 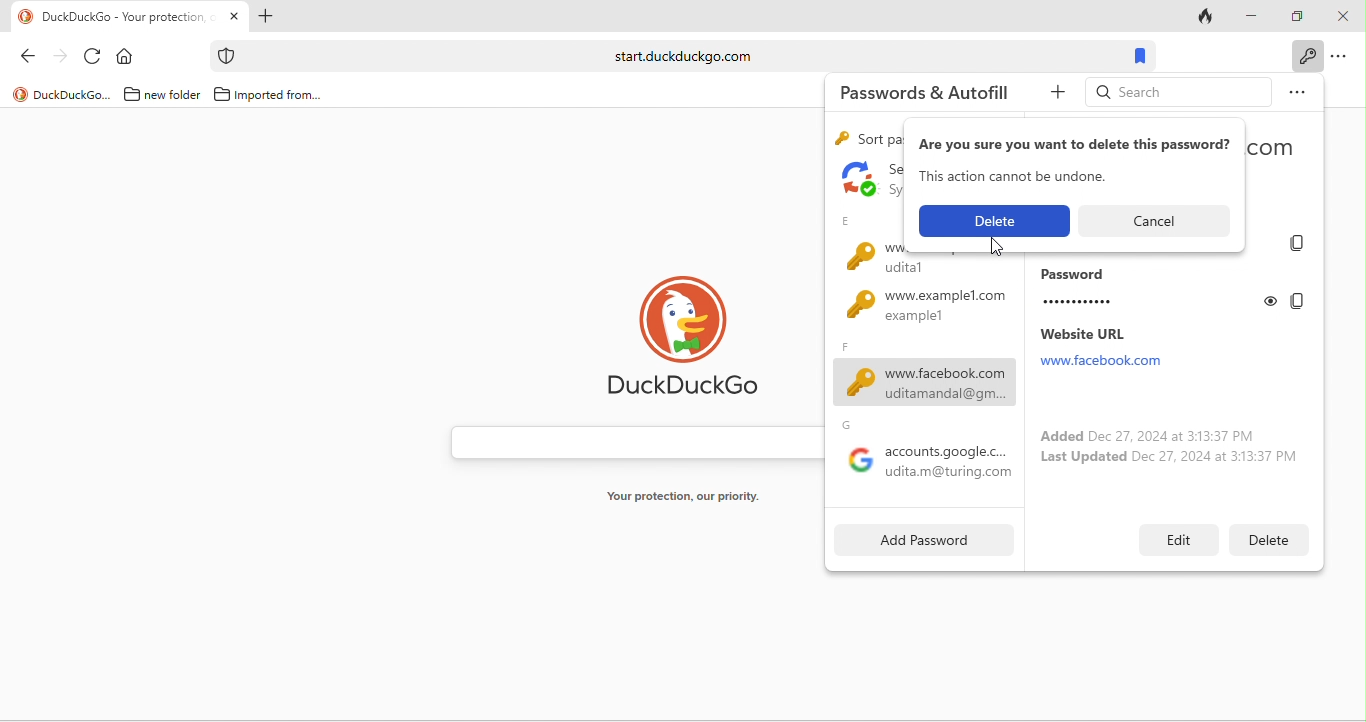 What do you see at coordinates (159, 95) in the screenshot?
I see `new folder` at bounding box center [159, 95].